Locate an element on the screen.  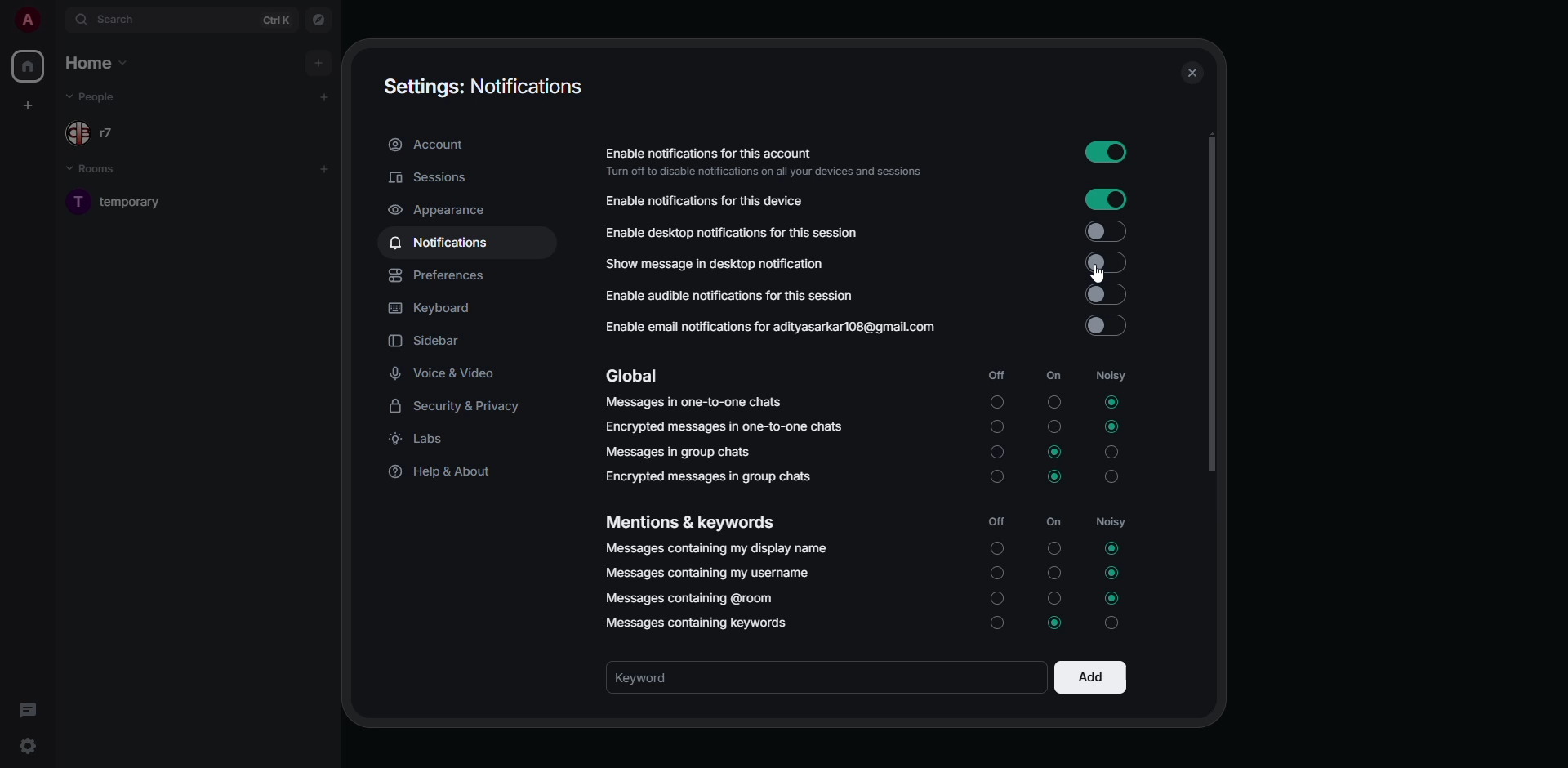
selected is located at coordinates (1058, 625).